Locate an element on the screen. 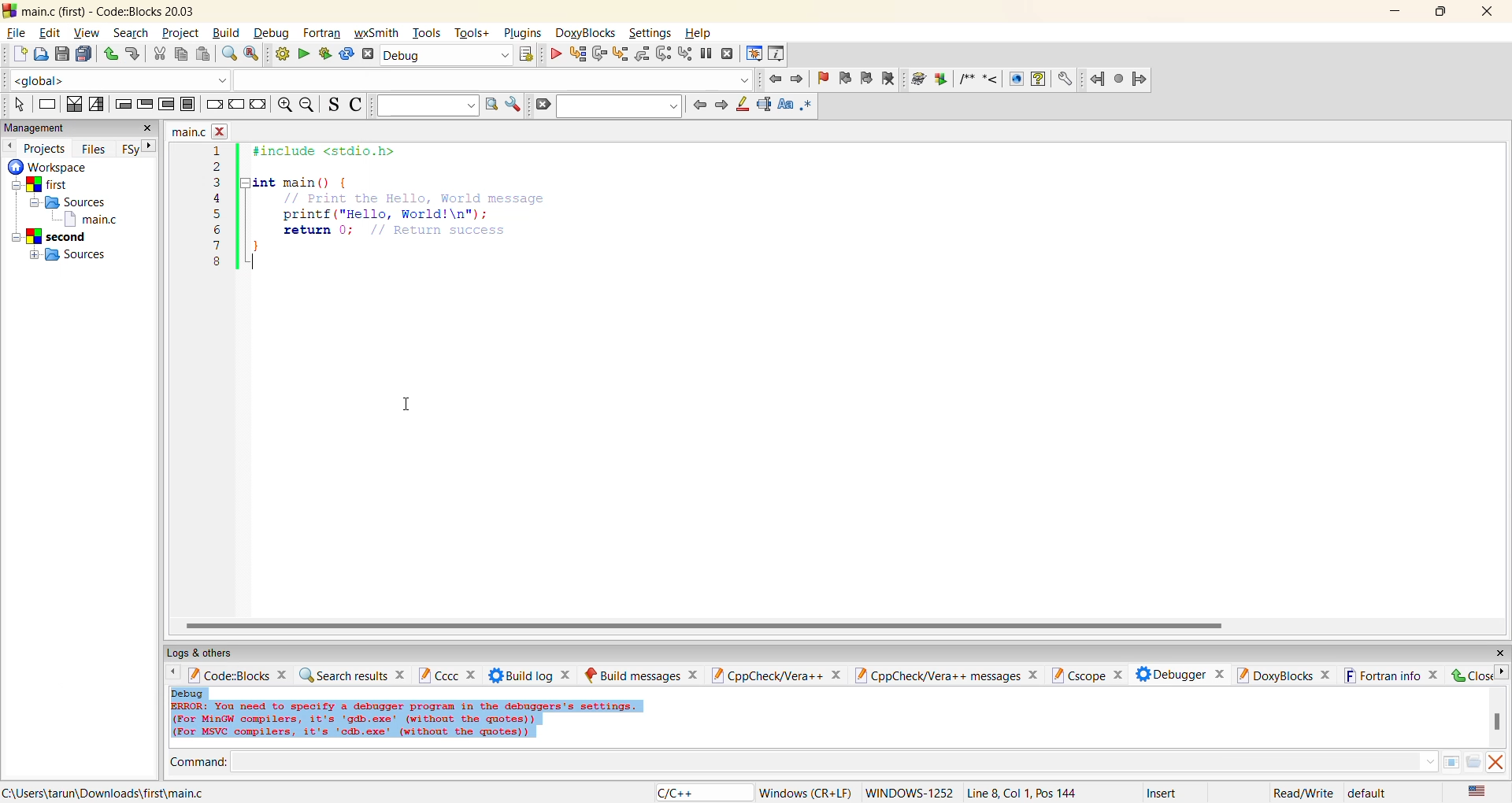 This screenshot has height=803, width=1512. tools+ is located at coordinates (472, 34).